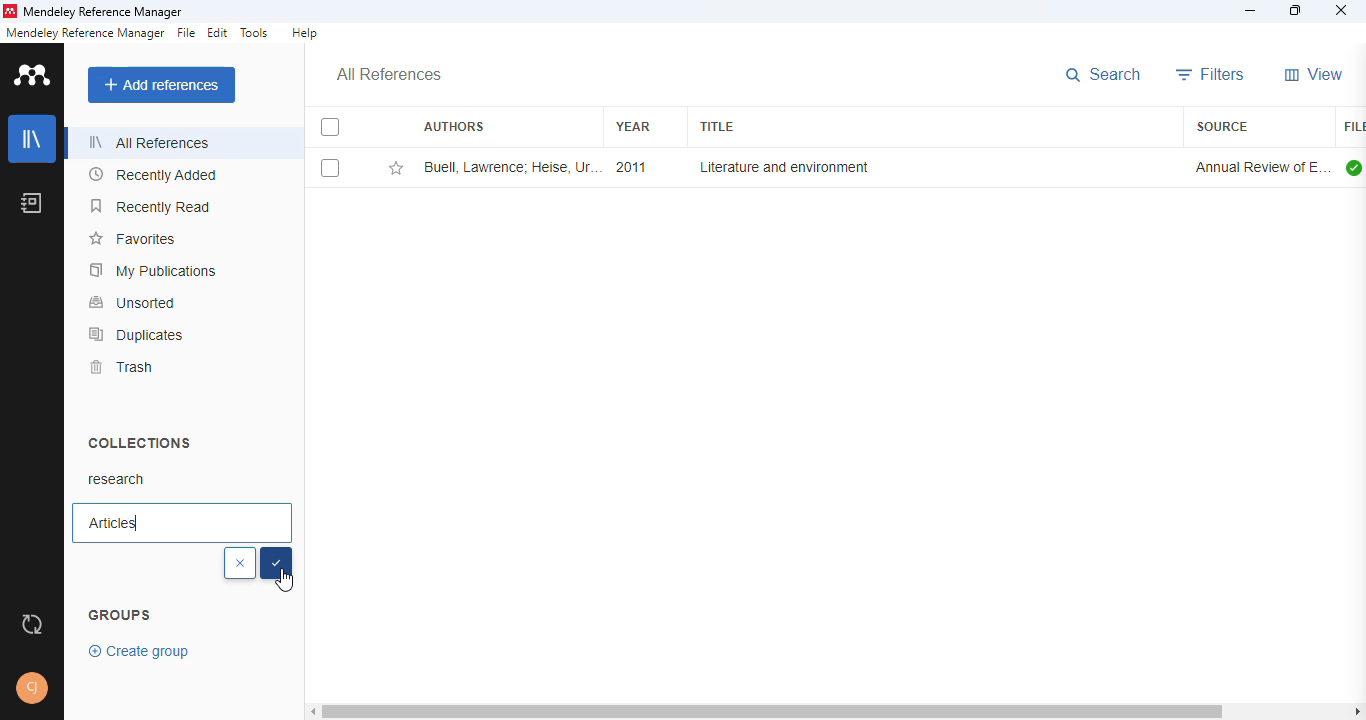 Image resolution: width=1366 pixels, height=720 pixels. Describe the element at coordinates (715, 127) in the screenshot. I see `title` at that location.